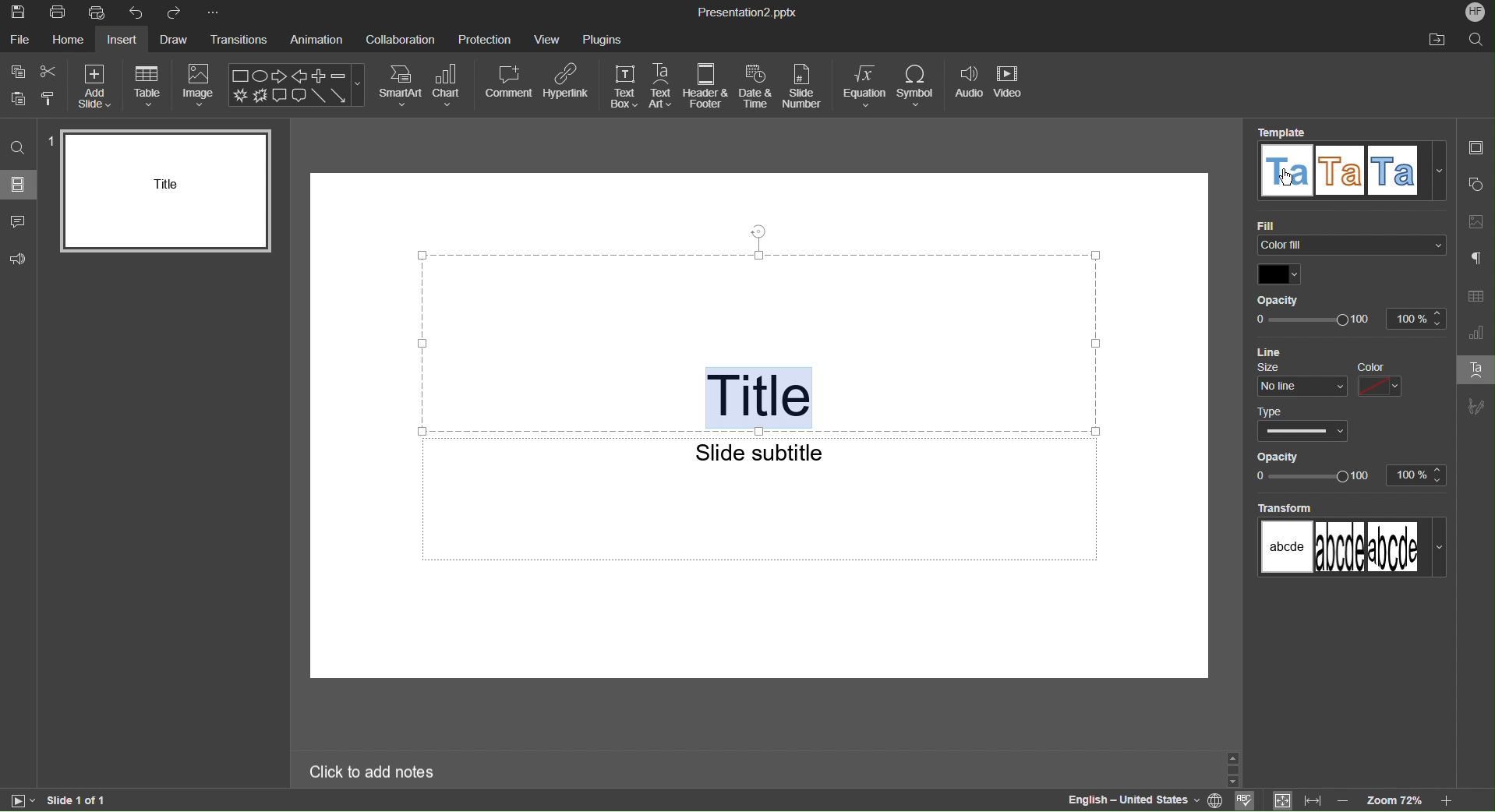 This screenshot has width=1495, height=812. Describe the element at coordinates (1347, 314) in the screenshot. I see `Opacity` at that location.